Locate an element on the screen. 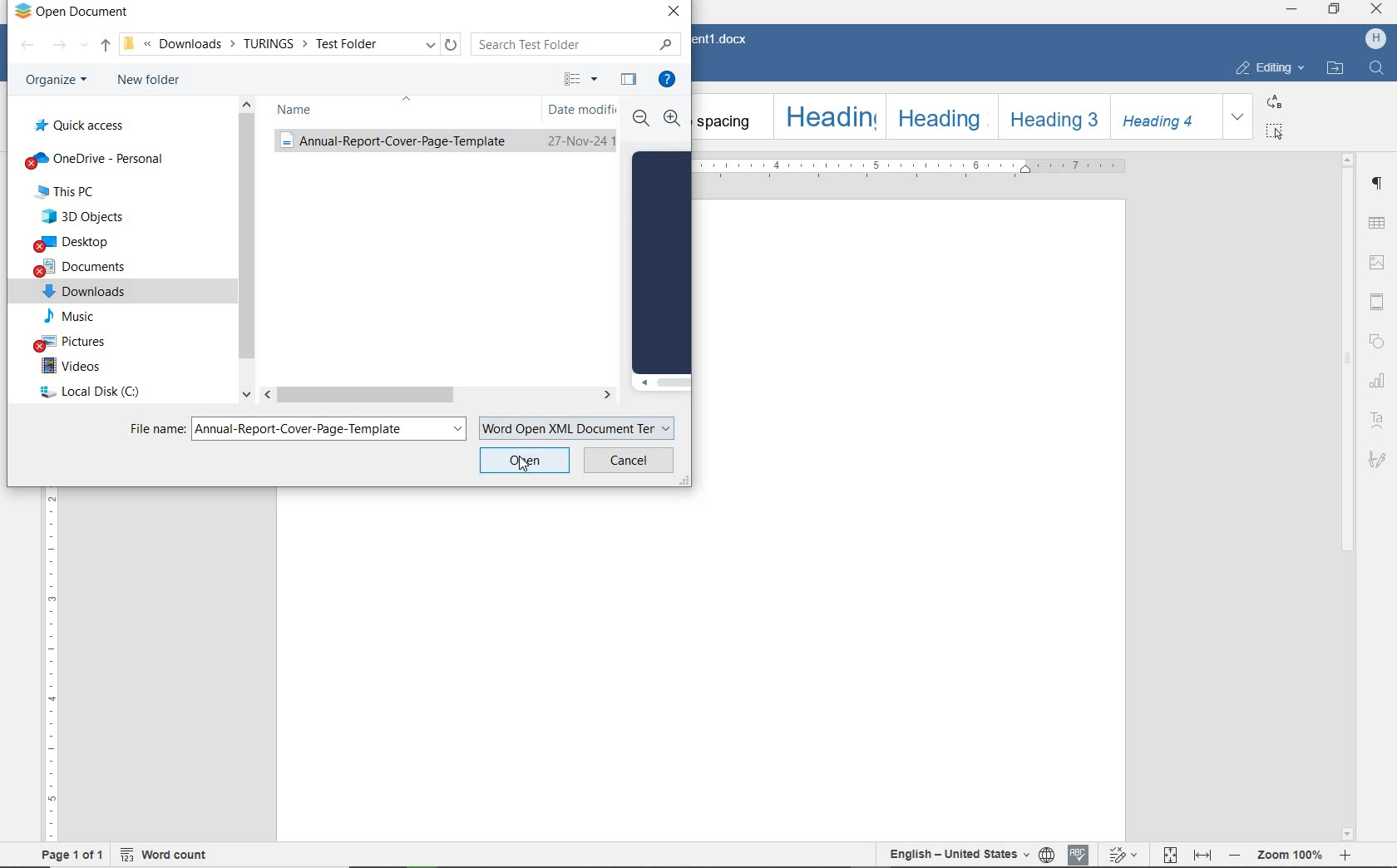  heading 2 is located at coordinates (940, 115).